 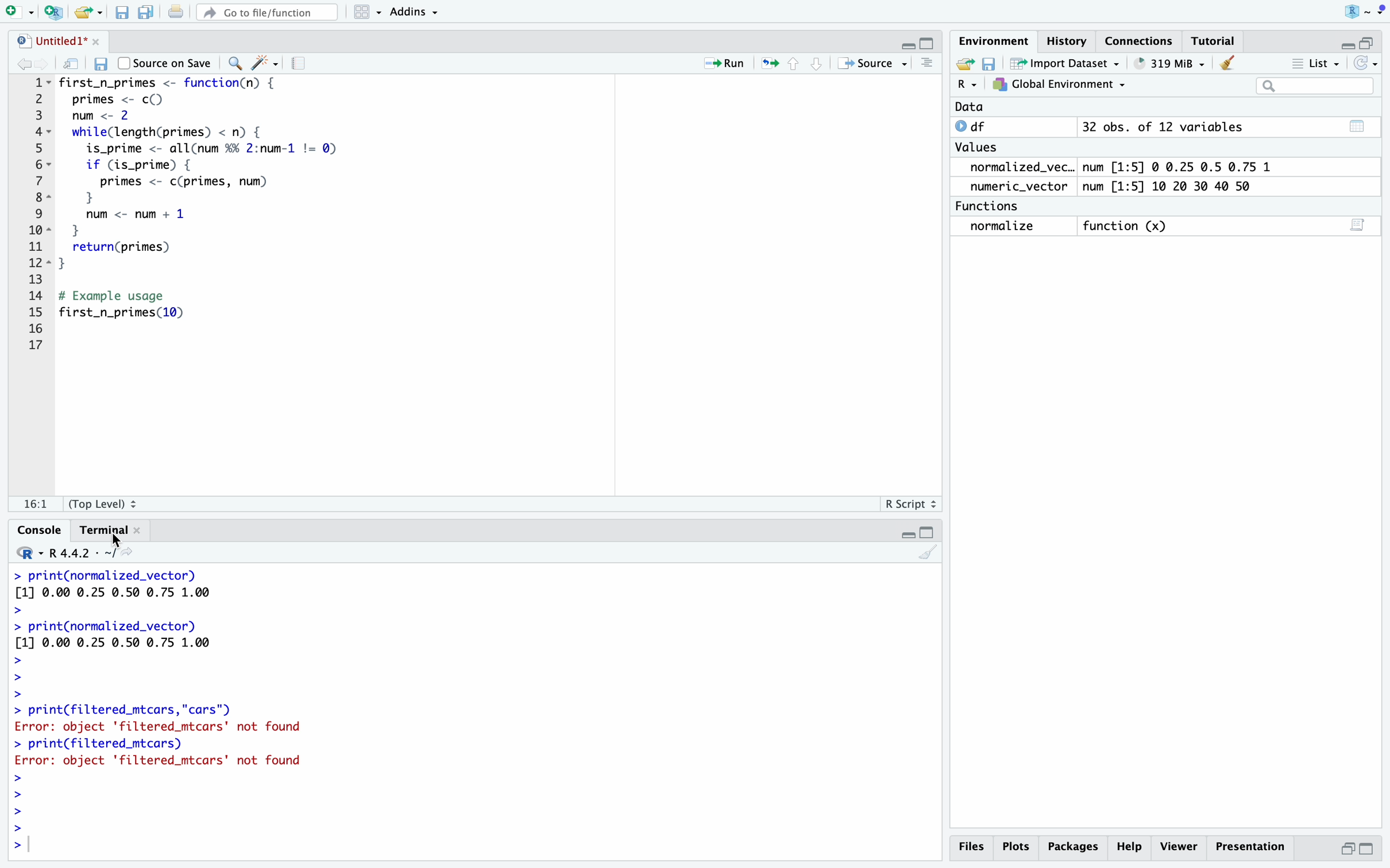 What do you see at coordinates (928, 66) in the screenshot?
I see `show document line` at bounding box center [928, 66].